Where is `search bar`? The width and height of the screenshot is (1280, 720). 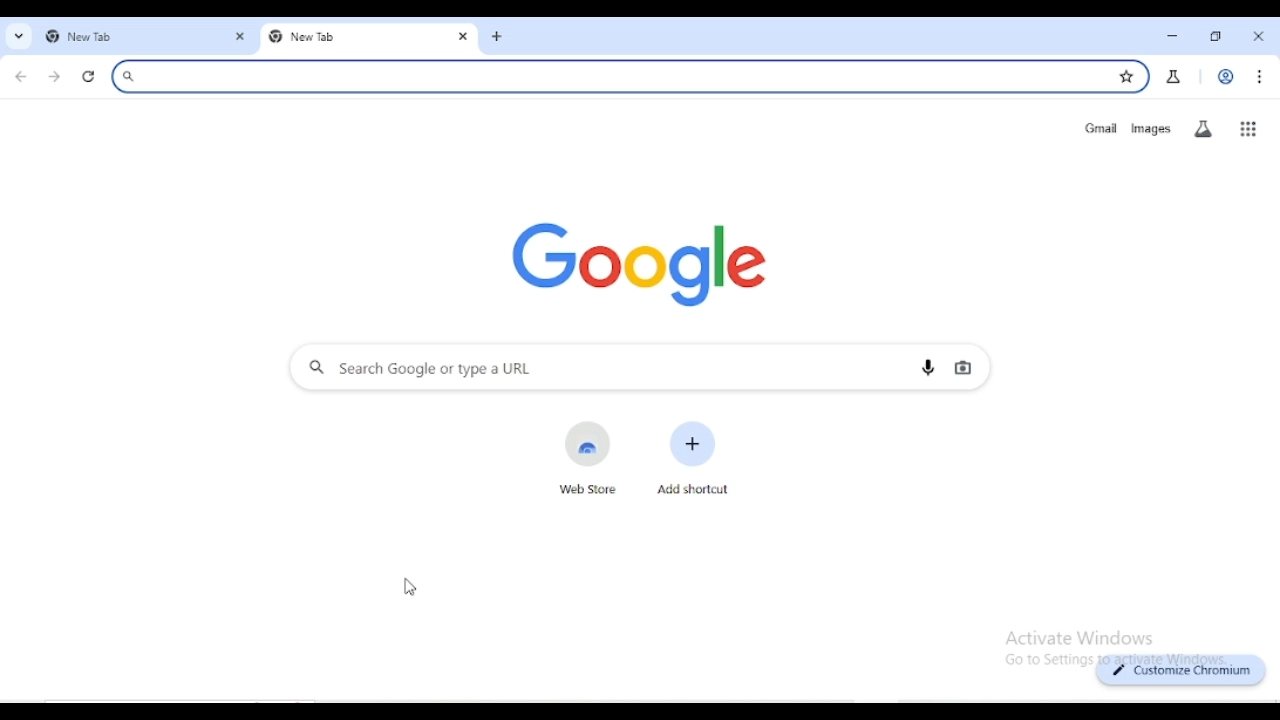
search bar is located at coordinates (604, 76).